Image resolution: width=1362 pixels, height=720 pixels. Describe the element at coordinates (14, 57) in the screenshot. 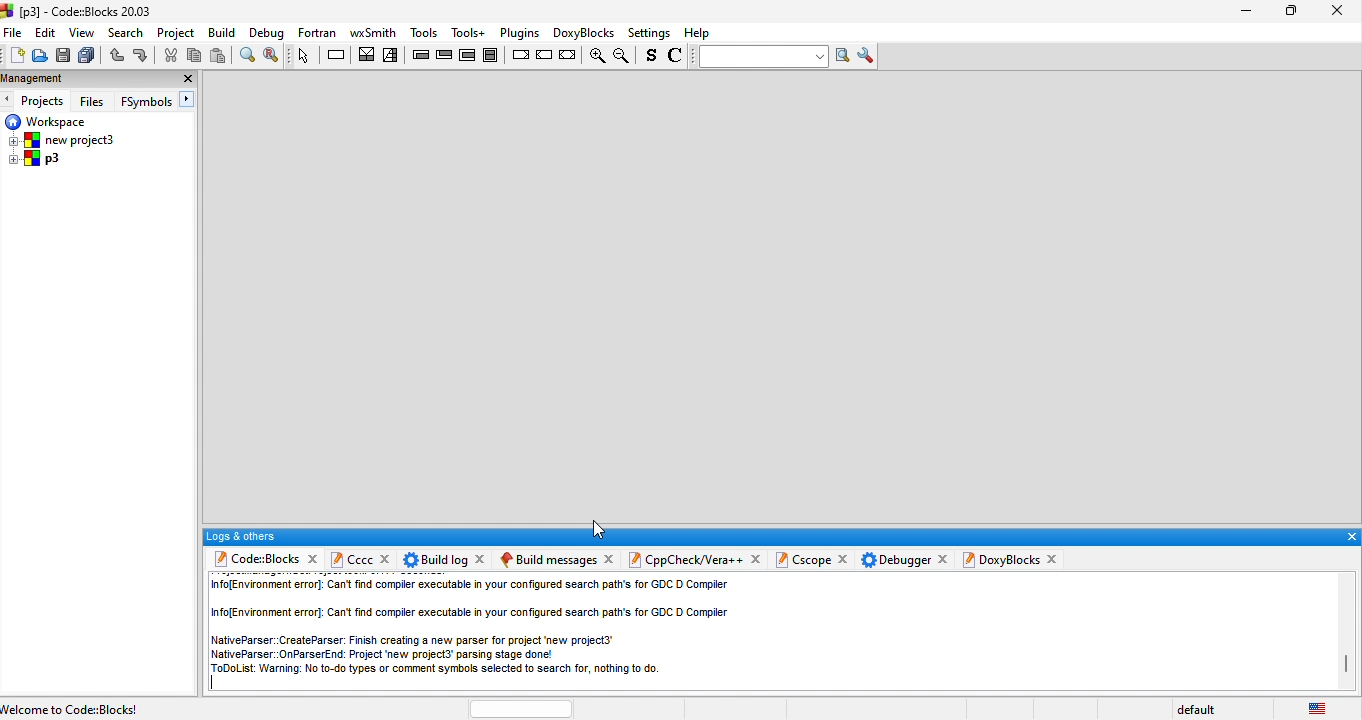

I see `new` at that location.